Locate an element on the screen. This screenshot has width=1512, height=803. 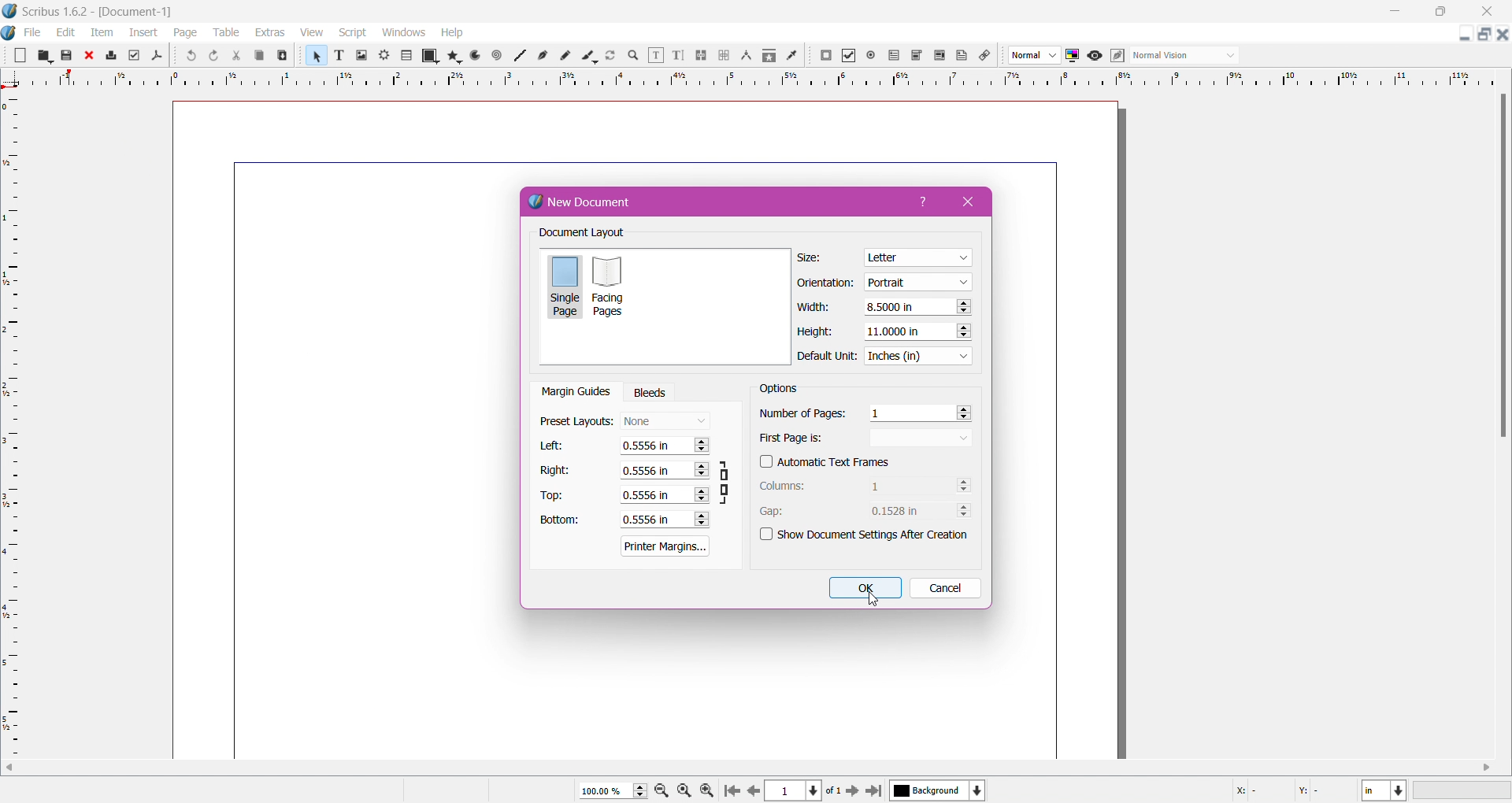
drop down is located at coordinates (1027, 54).